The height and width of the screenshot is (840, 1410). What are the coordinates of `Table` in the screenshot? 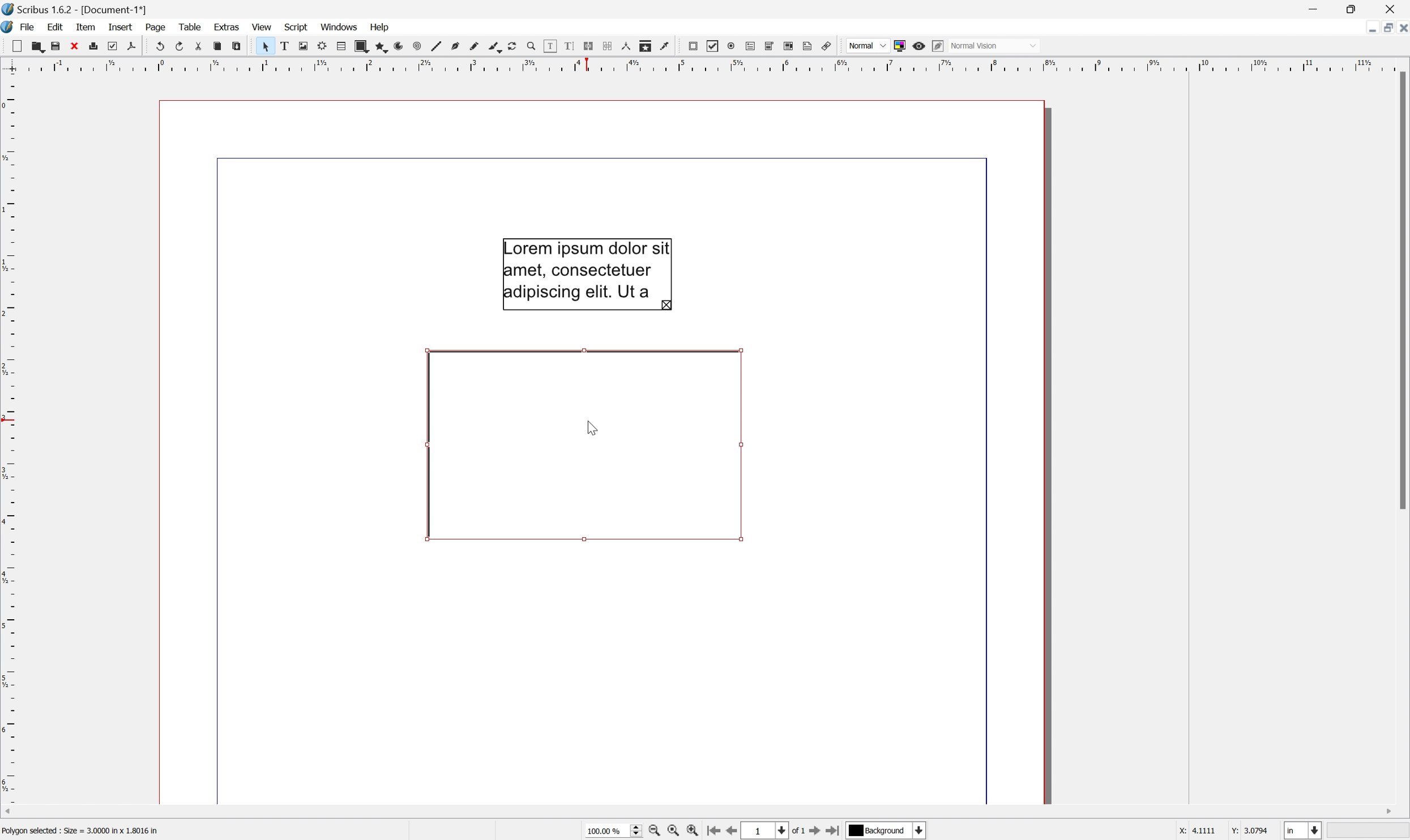 It's located at (341, 45).